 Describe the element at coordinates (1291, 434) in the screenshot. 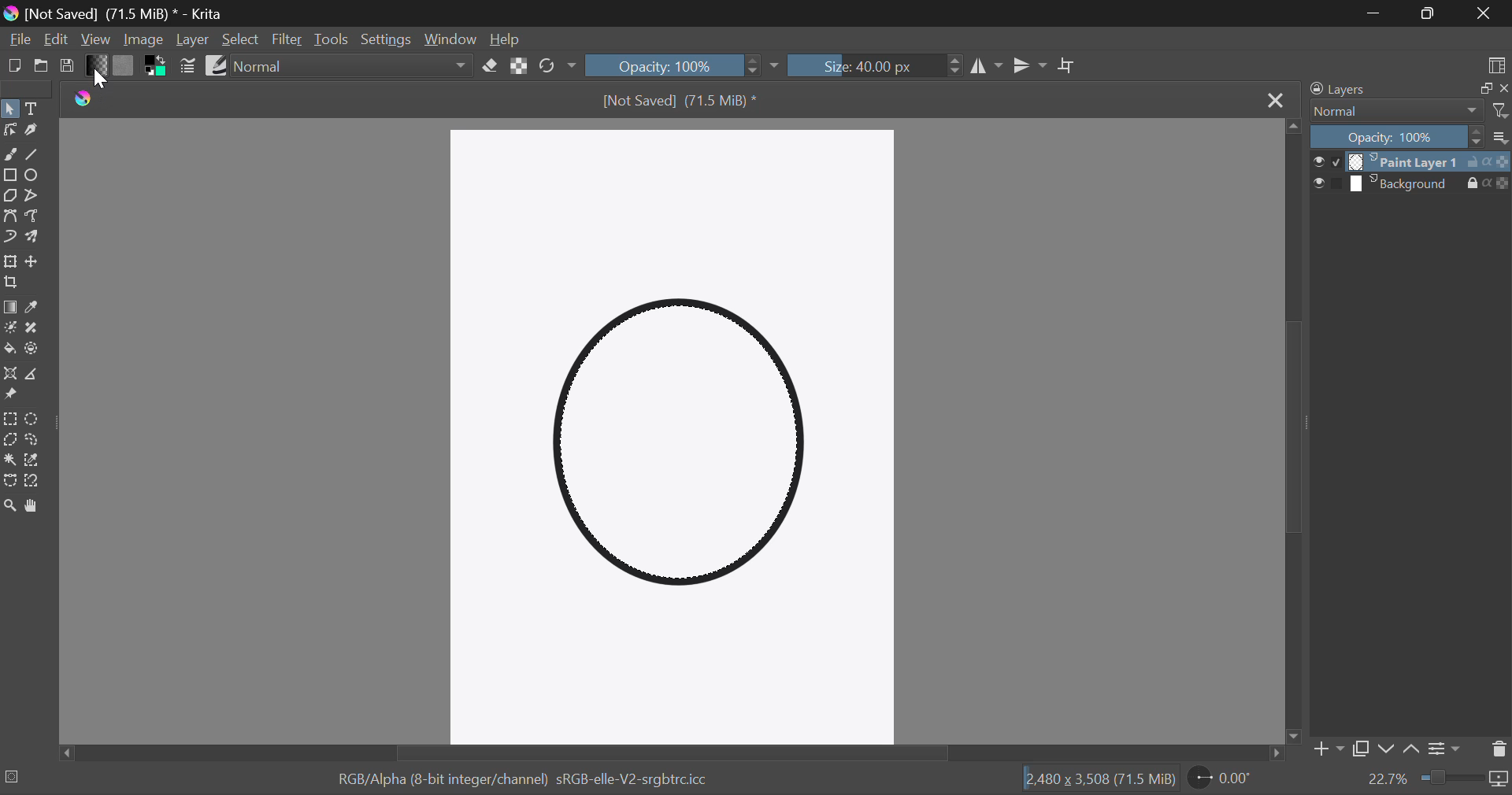

I see `Scroll Bar` at that location.